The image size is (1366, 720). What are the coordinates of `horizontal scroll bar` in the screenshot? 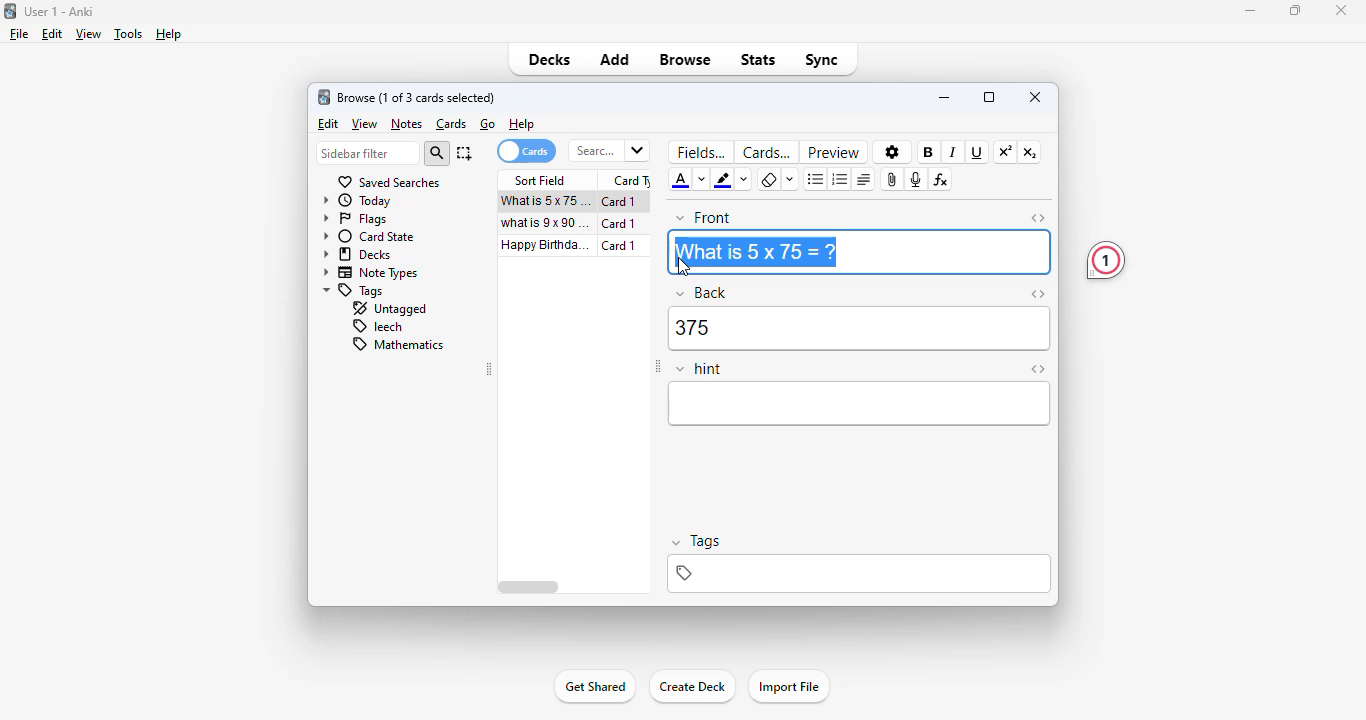 It's located at (529, 587).